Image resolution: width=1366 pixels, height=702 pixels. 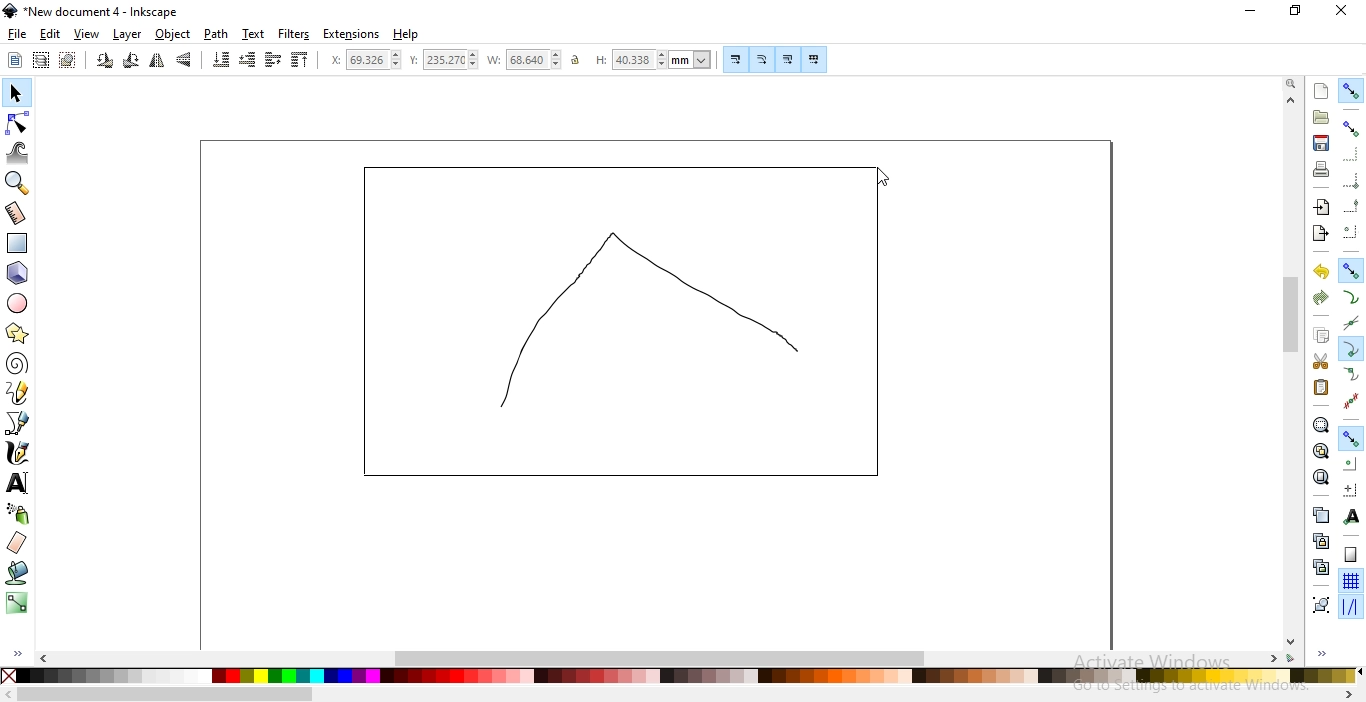 What do you see at coordinates (248, 60) in the screenshot?
I see `lower selection one step` at bounding box center [248, 60].